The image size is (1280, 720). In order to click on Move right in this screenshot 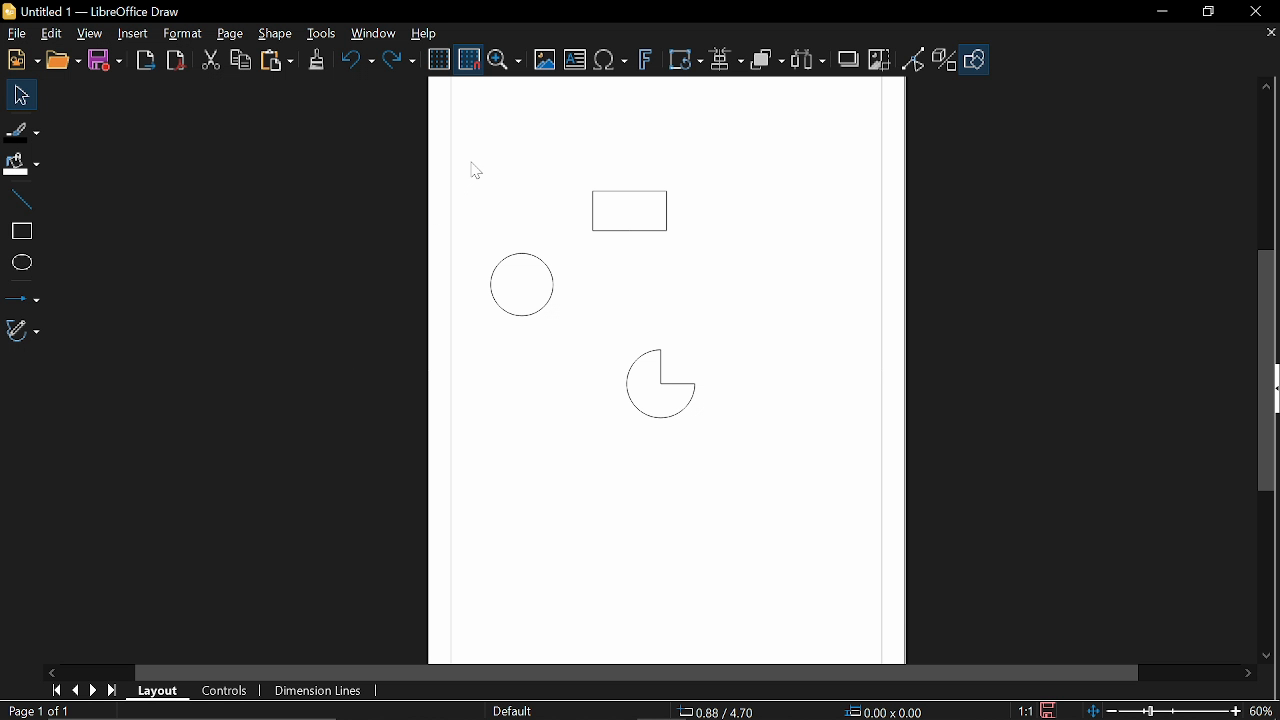, I will do `click(1248, 676)`.